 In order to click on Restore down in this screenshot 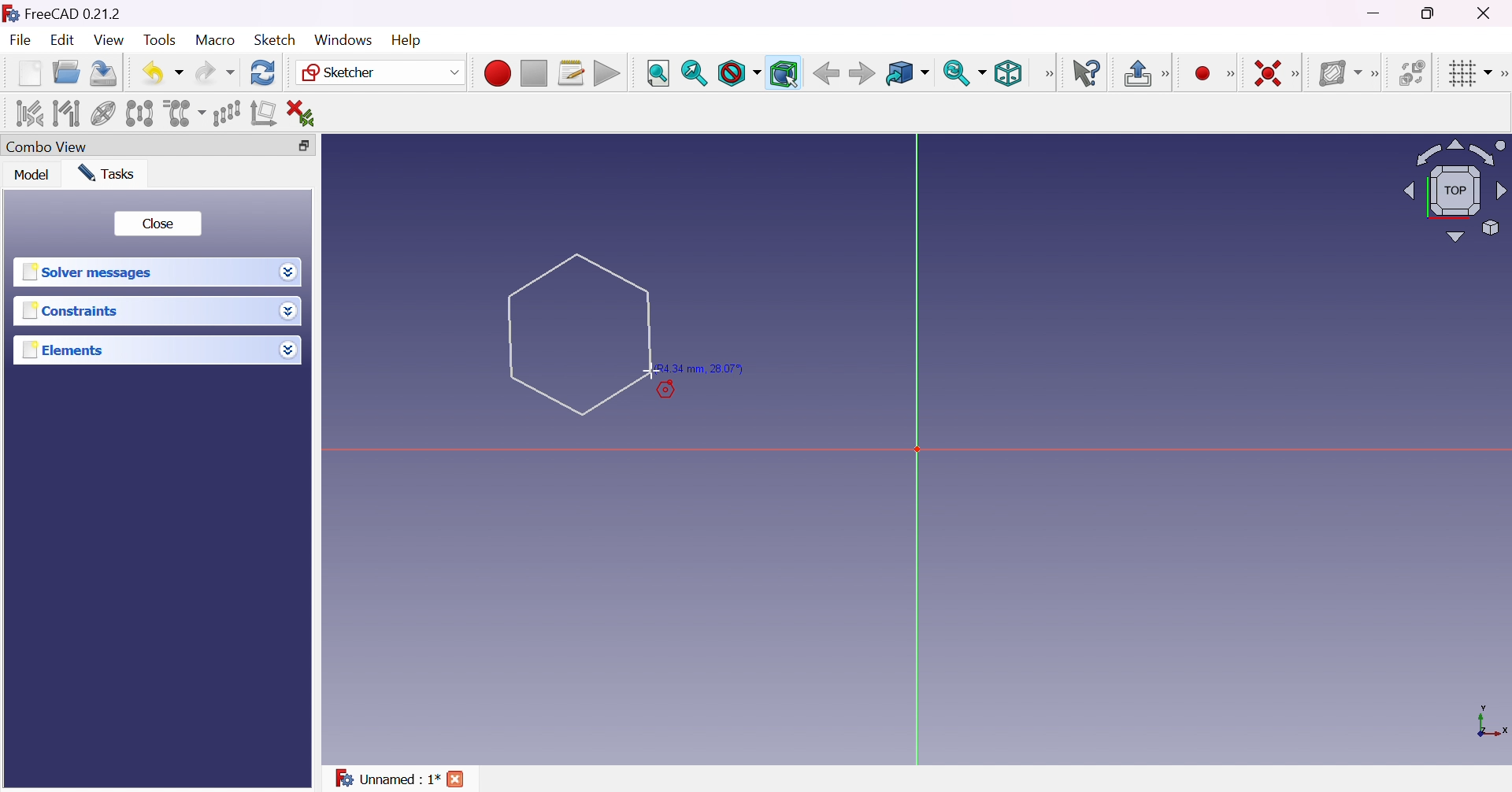, I will do `click(1434, 12)`.